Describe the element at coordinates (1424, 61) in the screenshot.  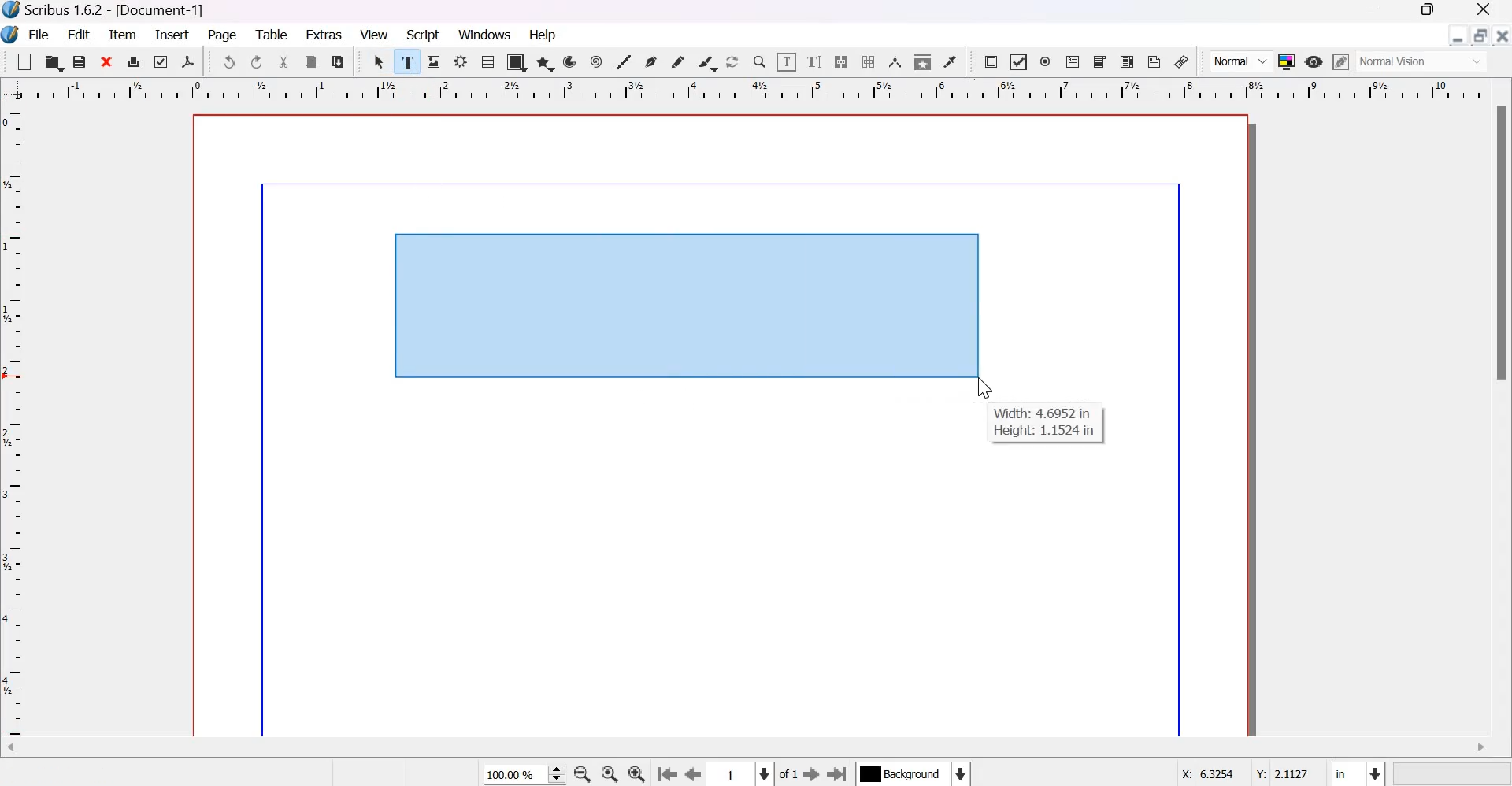
I see `Normal Vision` at that location.